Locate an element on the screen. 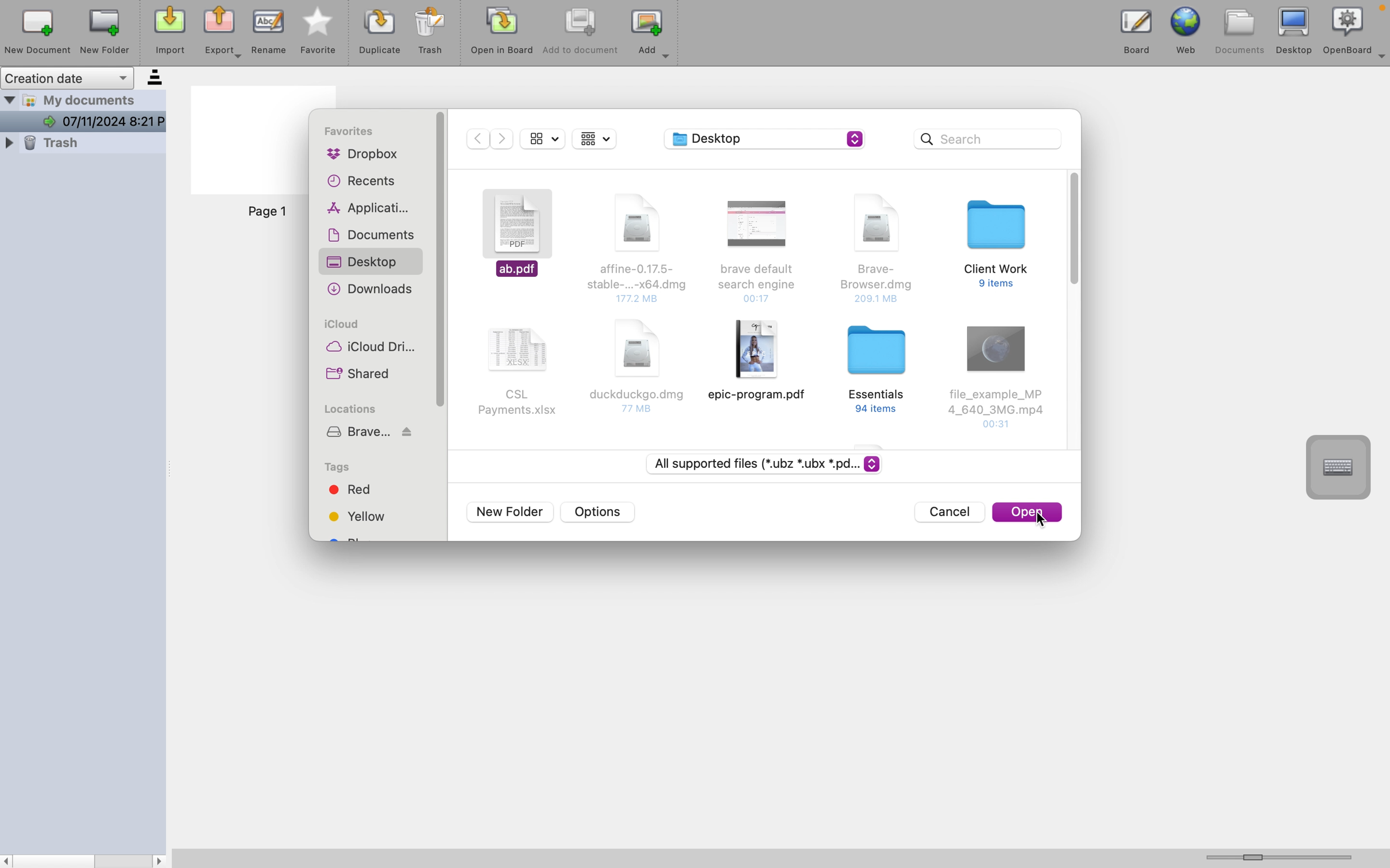 The height and width of the screenshot is (868, 1390). open in board is located at coordinates (503, 35).